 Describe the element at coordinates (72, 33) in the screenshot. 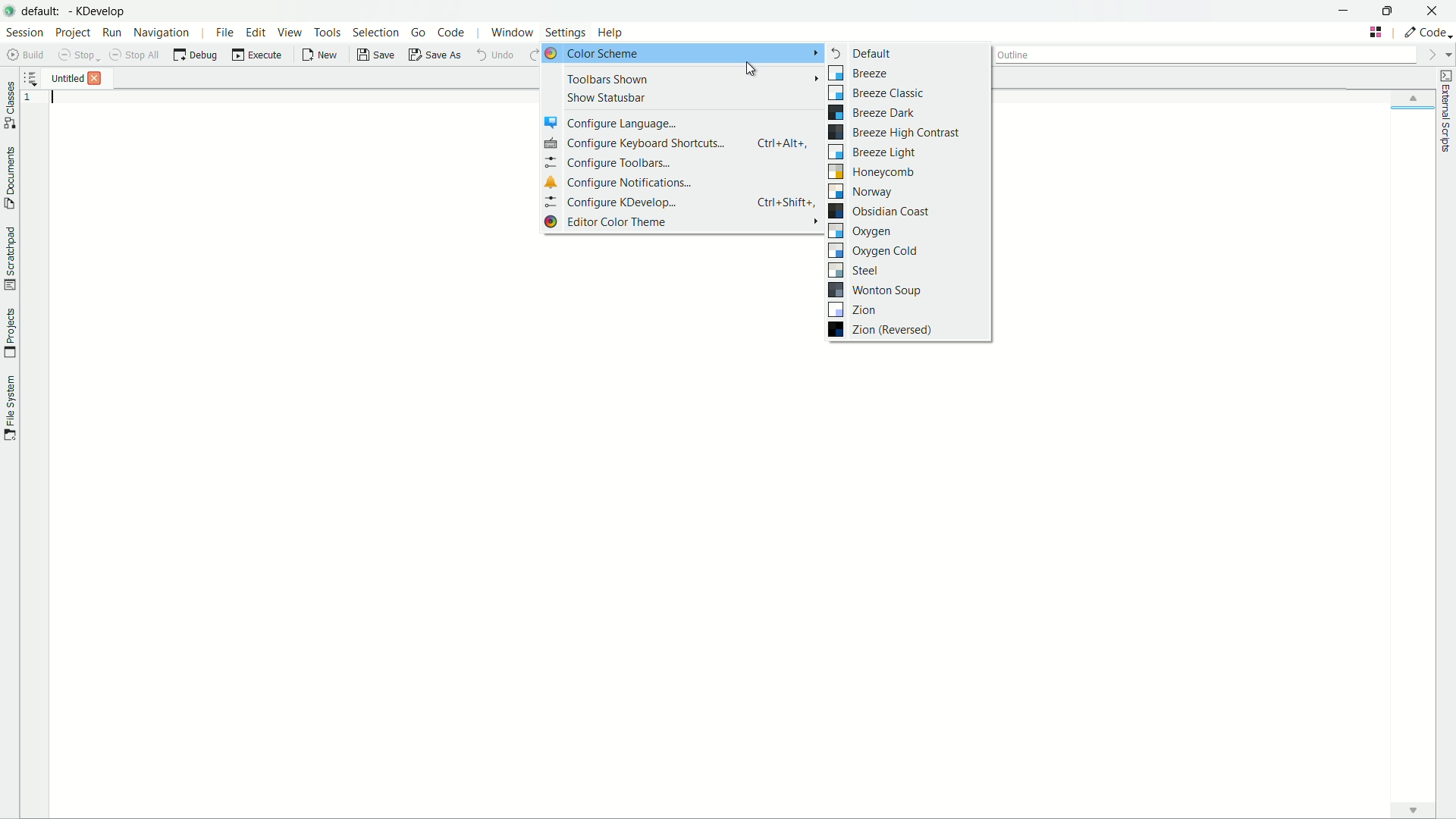

I see `project` at that location.